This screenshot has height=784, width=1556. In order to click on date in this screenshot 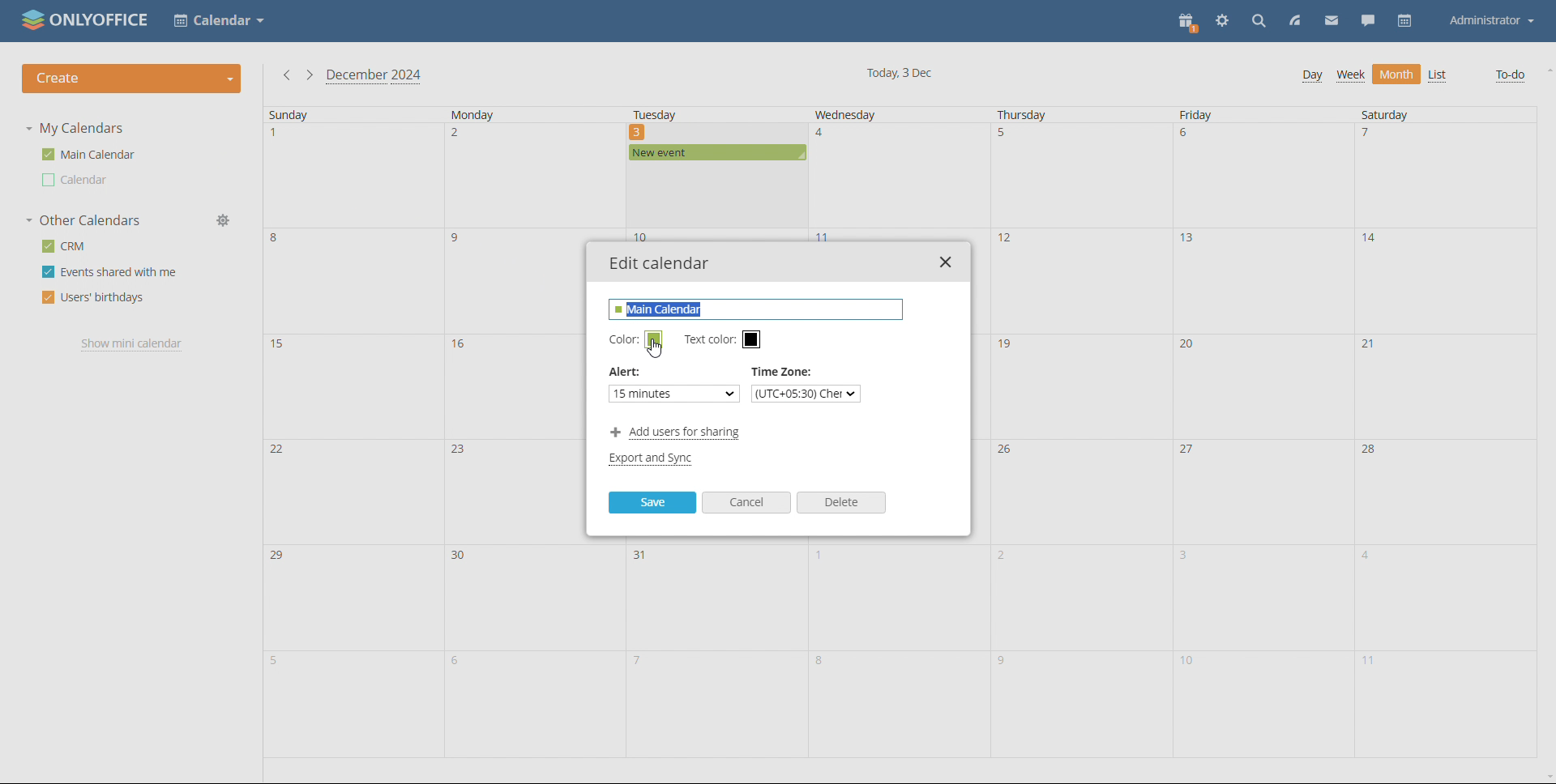, I will do `click(1263, 282)`.